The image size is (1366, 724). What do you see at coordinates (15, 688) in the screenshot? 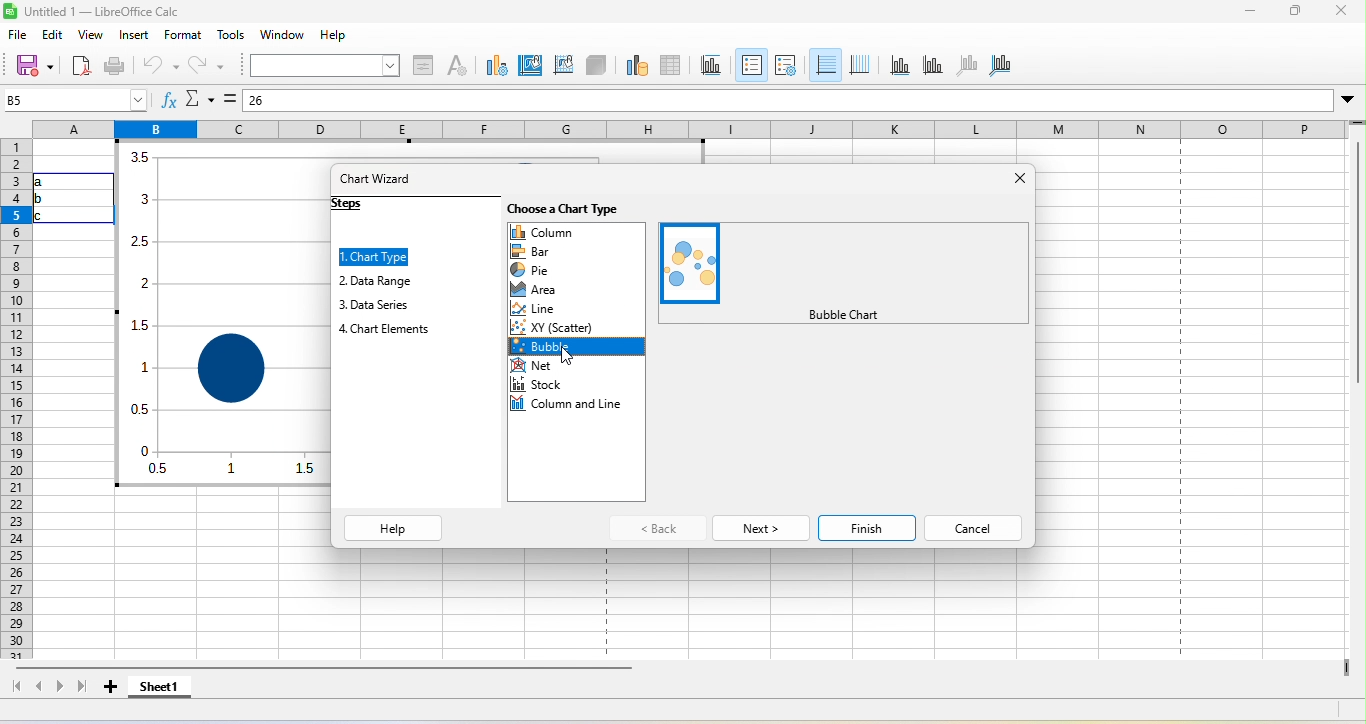
I see `first sheet` at bounding box center [15, 688].